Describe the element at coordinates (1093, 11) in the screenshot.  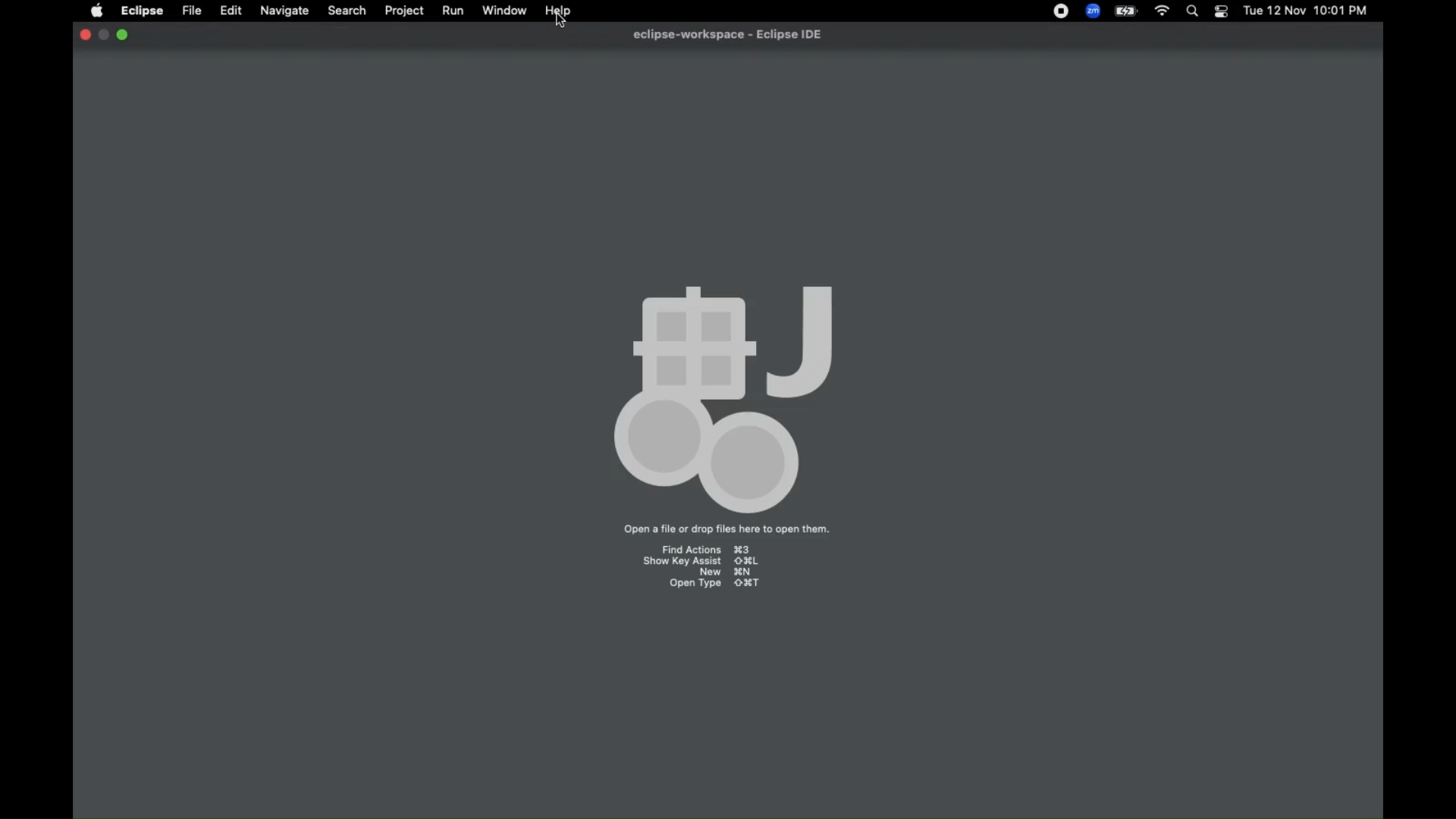
I see `Zoom Desktop Icon` at that location.